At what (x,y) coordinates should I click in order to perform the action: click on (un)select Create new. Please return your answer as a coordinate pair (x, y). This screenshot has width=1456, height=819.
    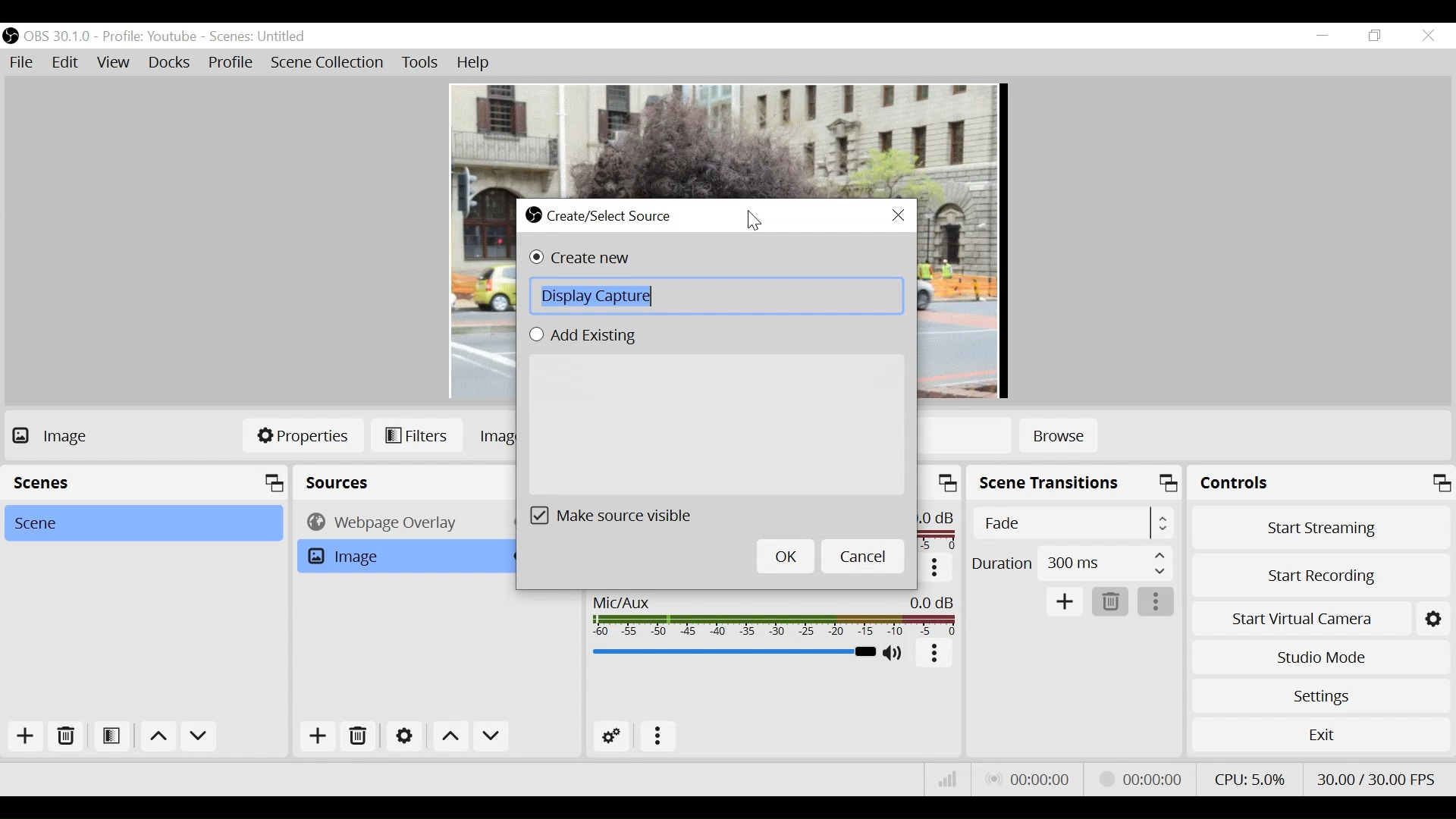
    Looking at the image, I should click on (595, 259).